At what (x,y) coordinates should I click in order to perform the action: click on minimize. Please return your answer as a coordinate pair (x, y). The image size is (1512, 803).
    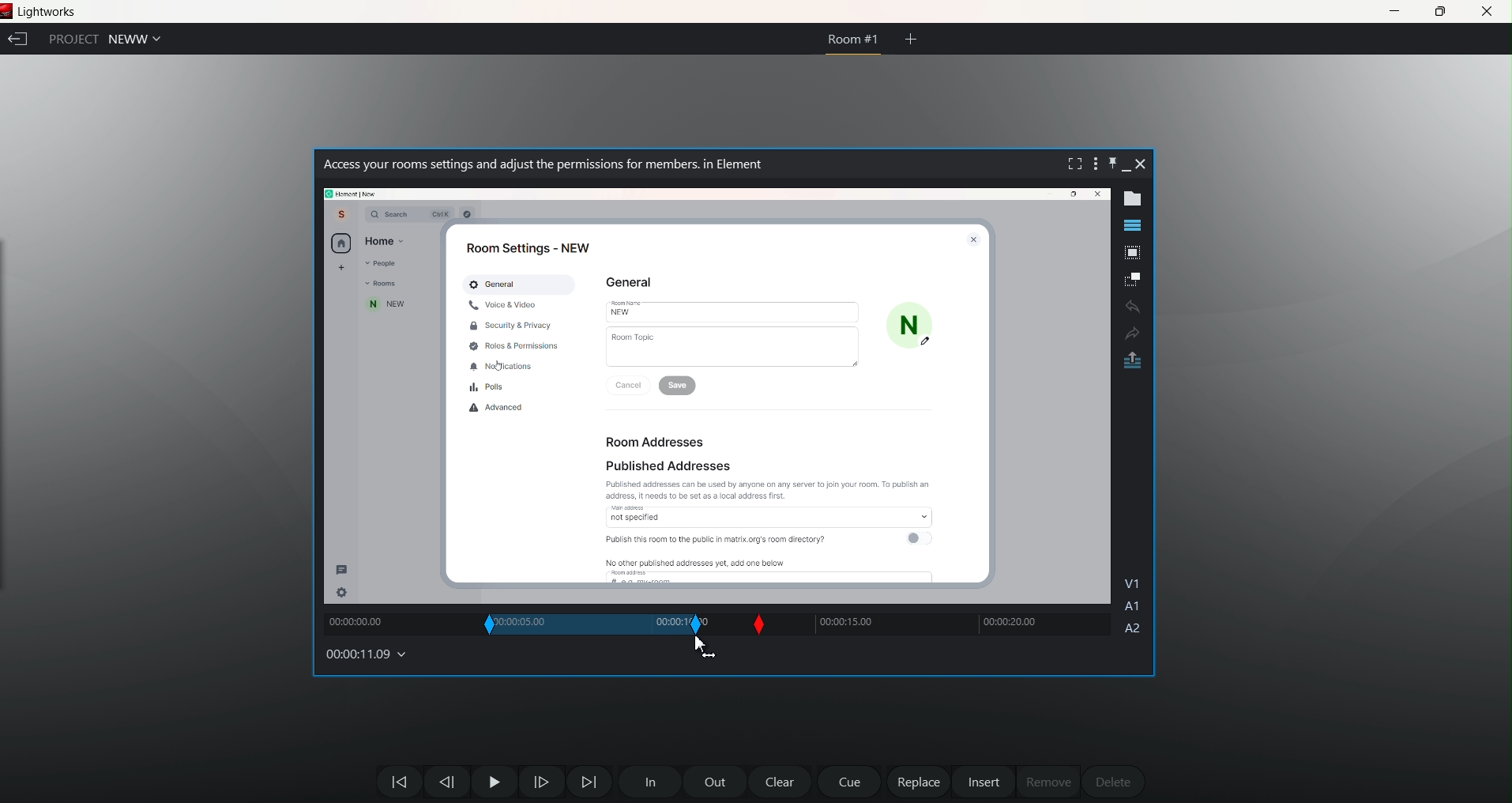
    Looking at the image, I should click on (1131, 167).